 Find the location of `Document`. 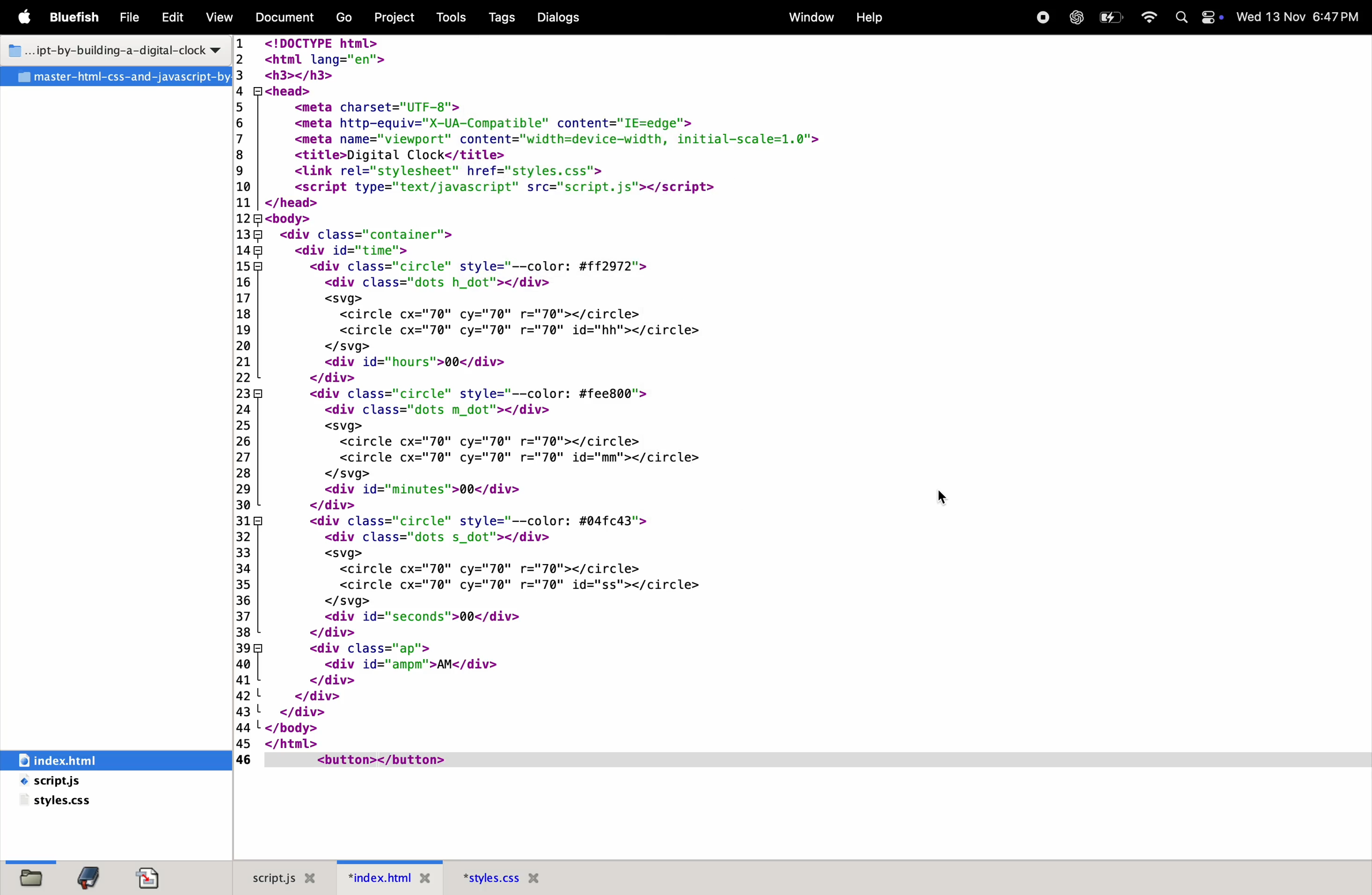

Document is located at coordinates (286, 17).